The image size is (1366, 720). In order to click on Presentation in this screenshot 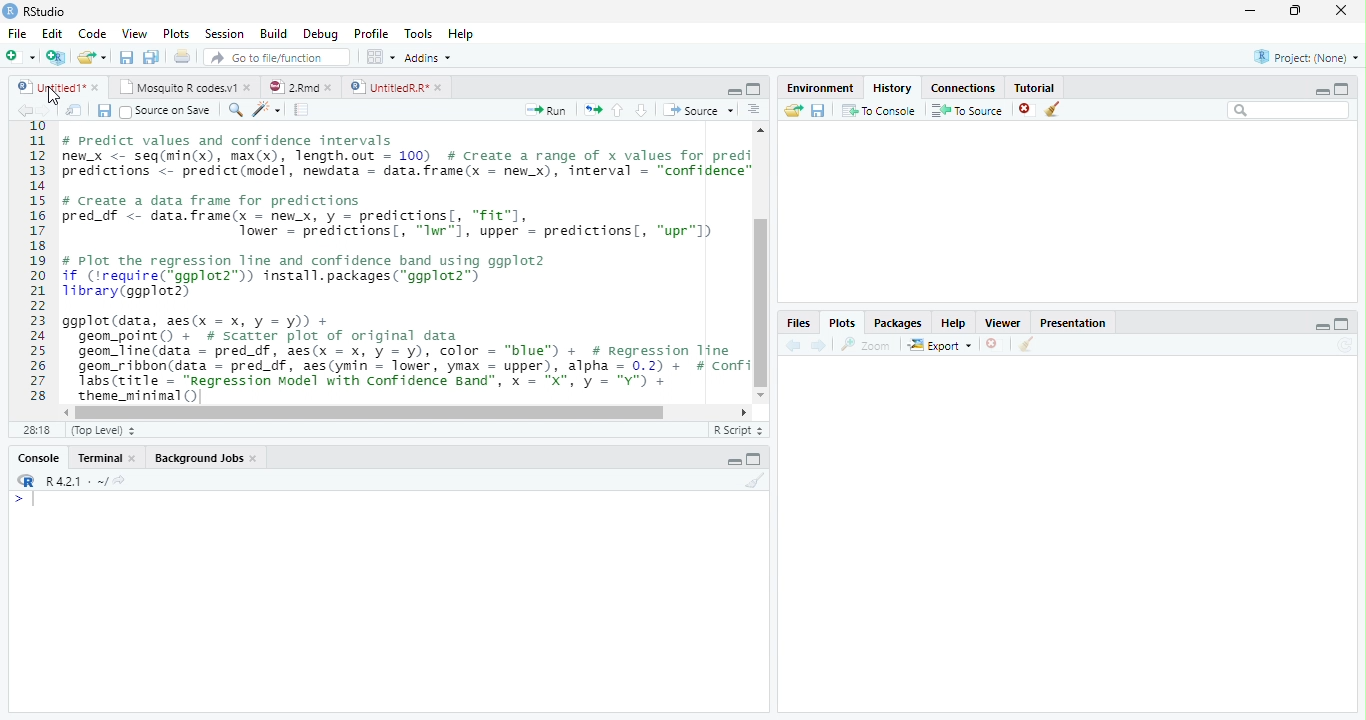, I will do `click(1072, 323)`.